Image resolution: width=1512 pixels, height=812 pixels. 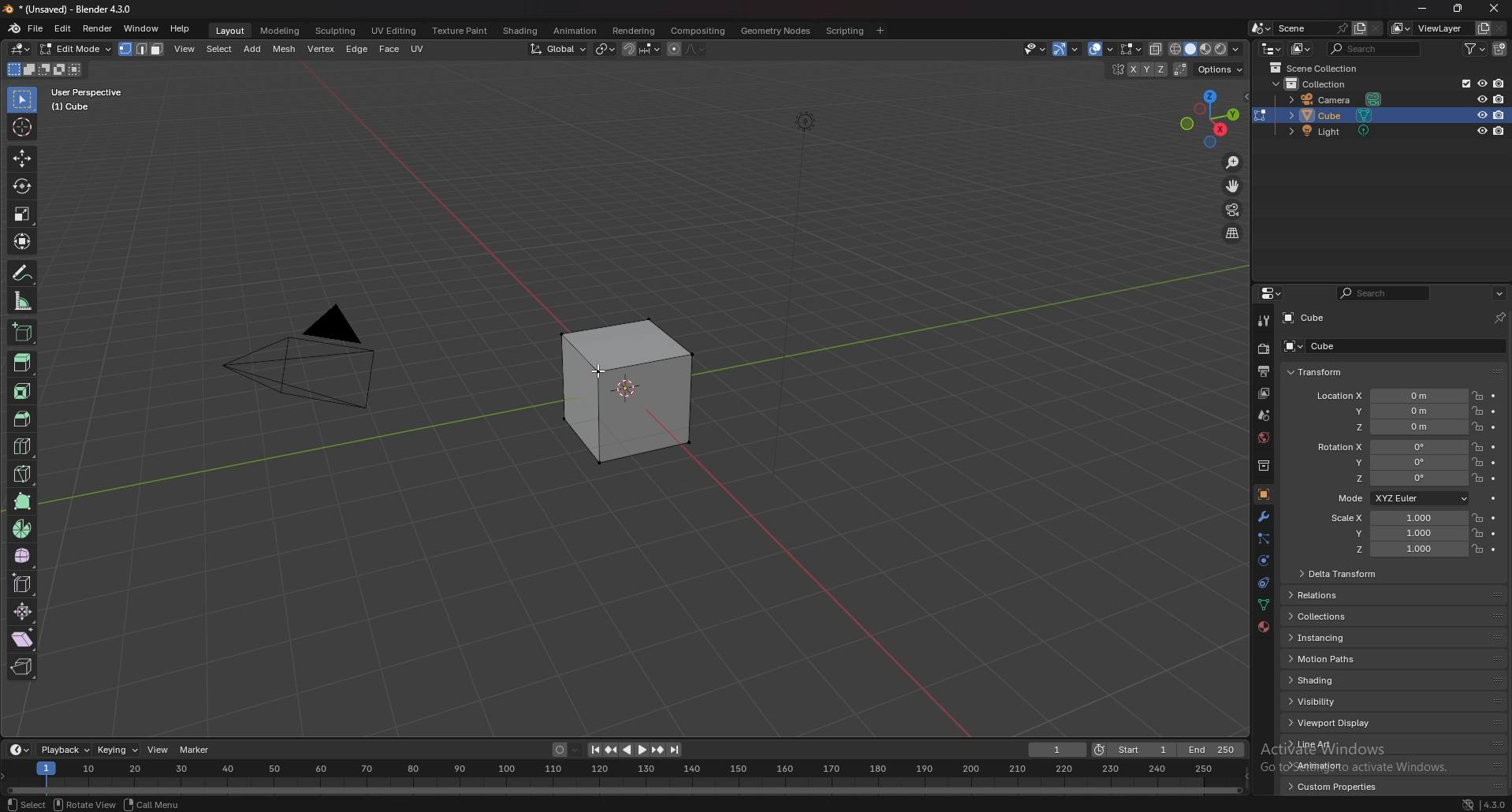 I want to click on seek, so click(x=628, y=778).